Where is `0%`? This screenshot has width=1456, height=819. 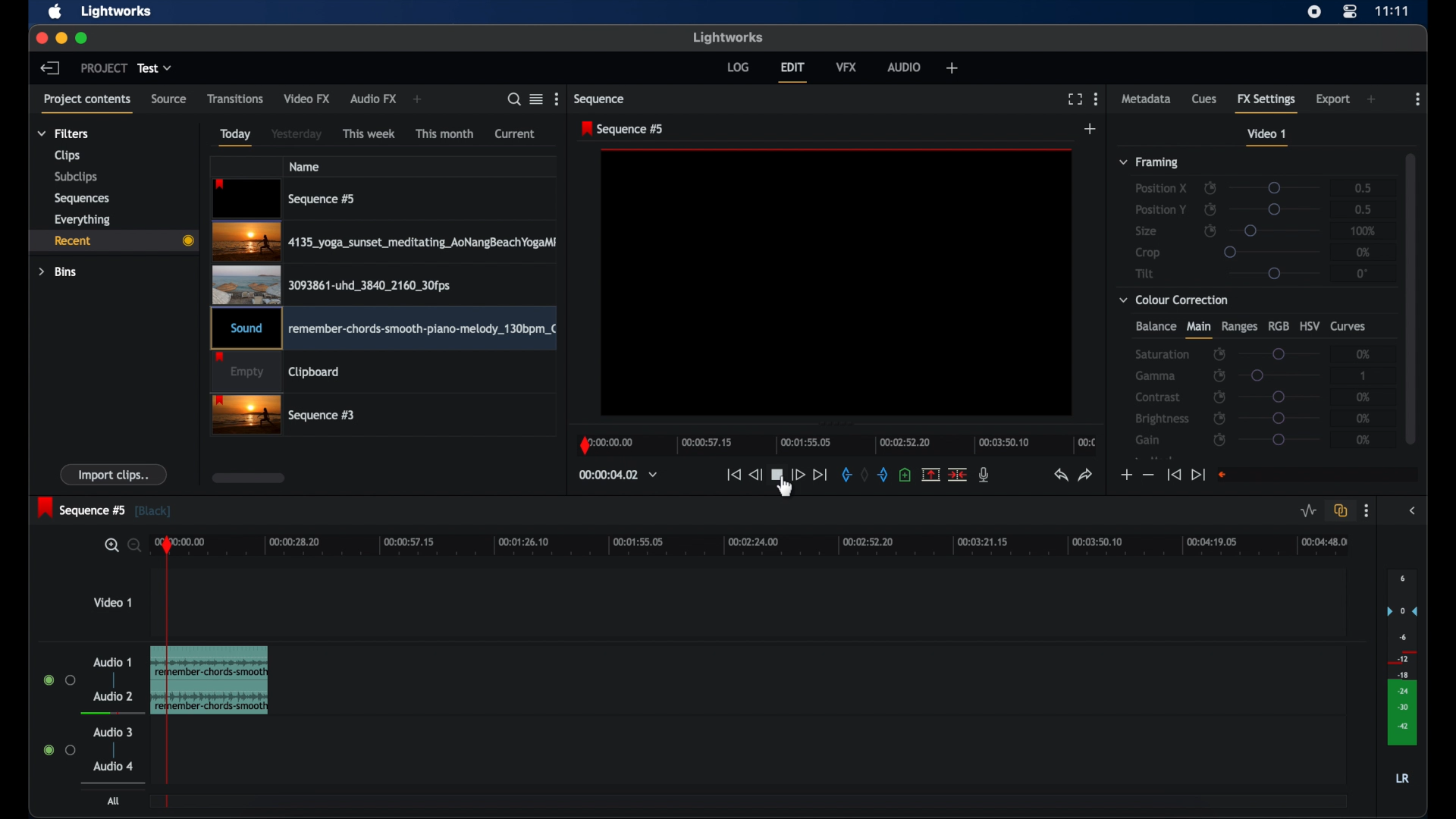 0% is located at coordinates (1360, 397).